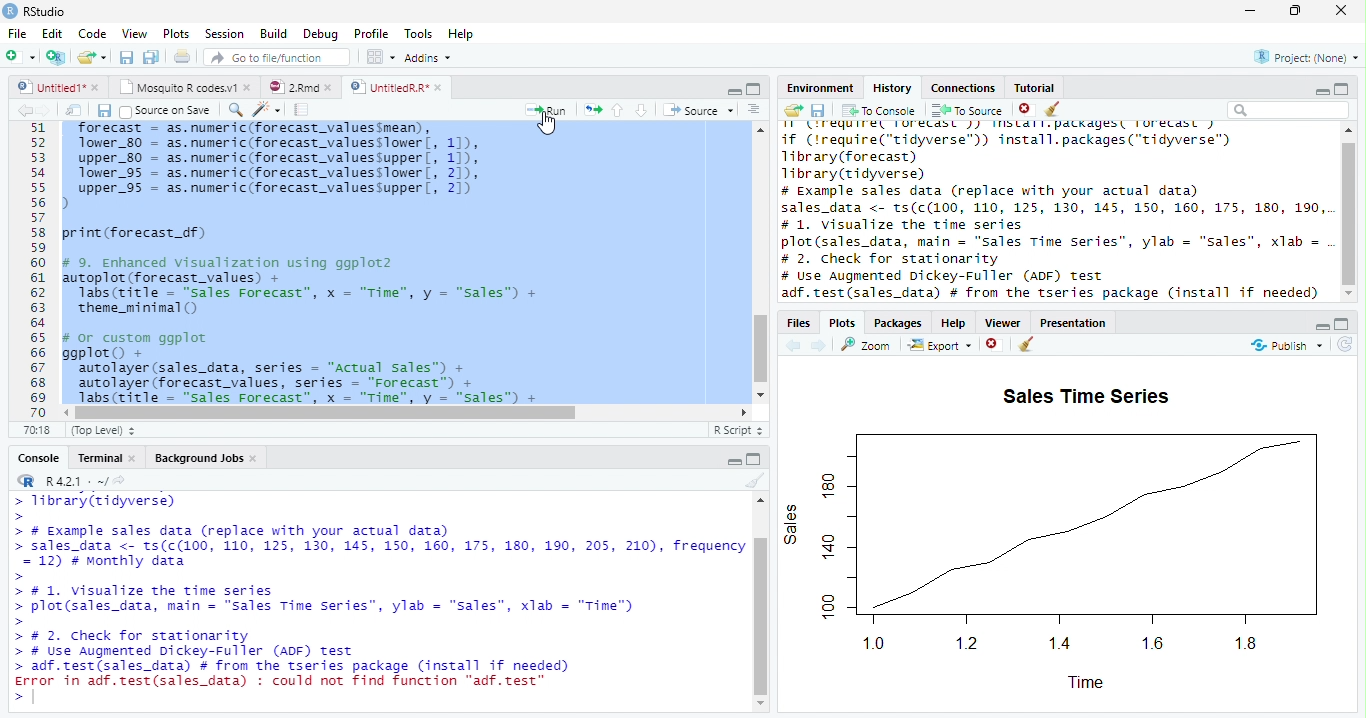  Describe the element at coordinates (152, 57) in the screenshot. I see `Save all open files` at that location.